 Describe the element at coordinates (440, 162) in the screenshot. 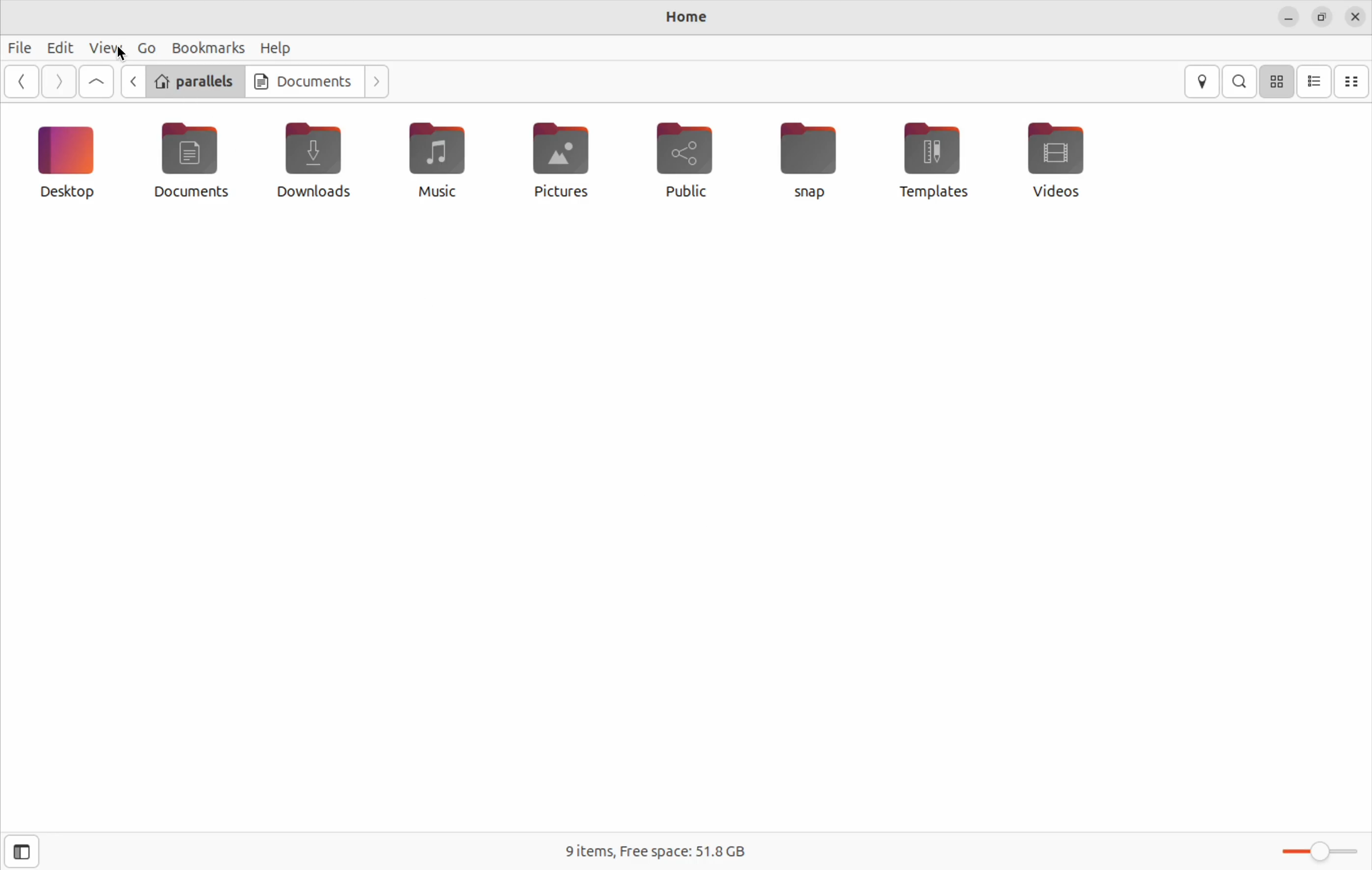

I see `music` at that location.